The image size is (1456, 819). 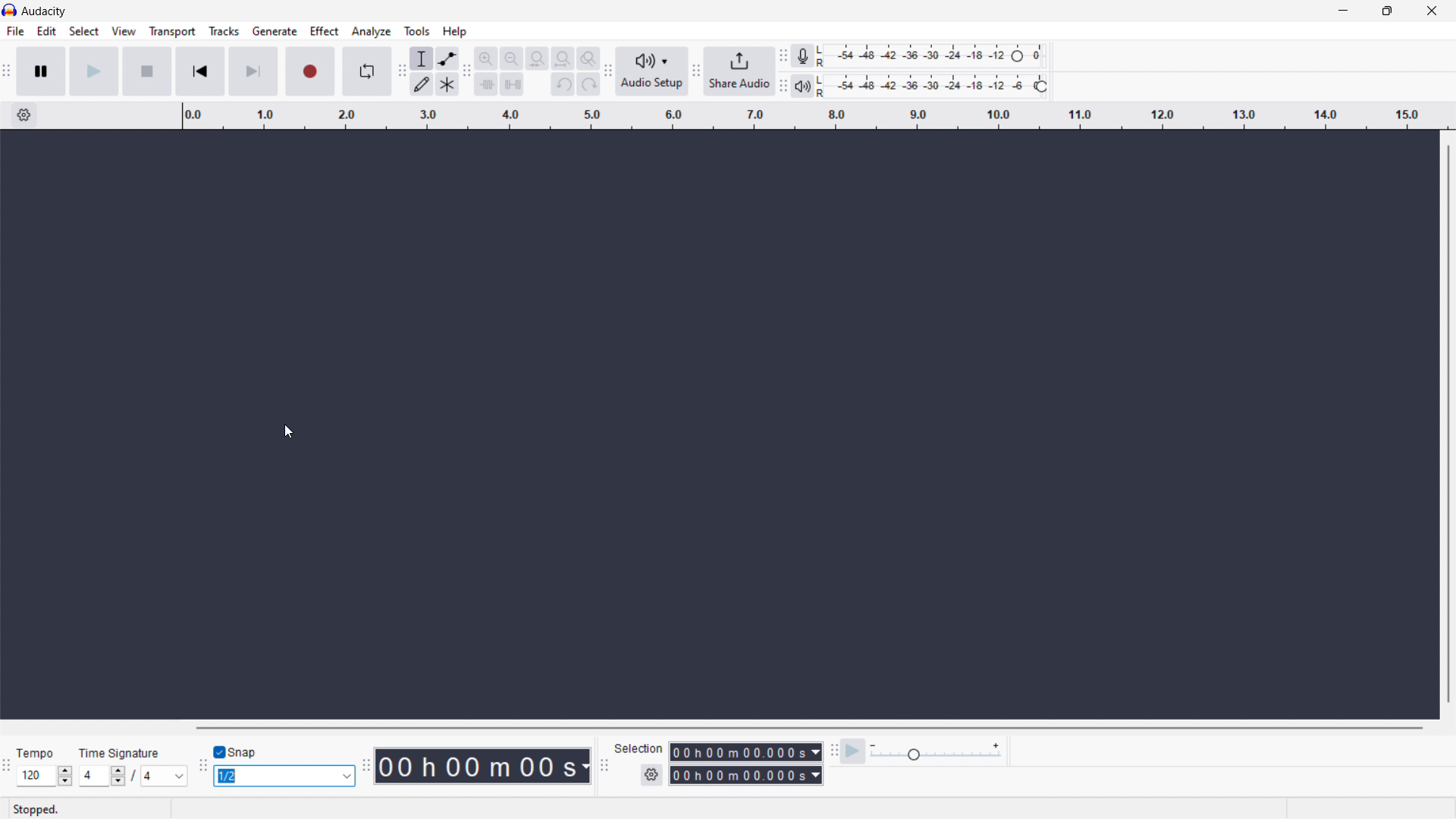 I want to click on selection start time, so click(x=745, y=752).